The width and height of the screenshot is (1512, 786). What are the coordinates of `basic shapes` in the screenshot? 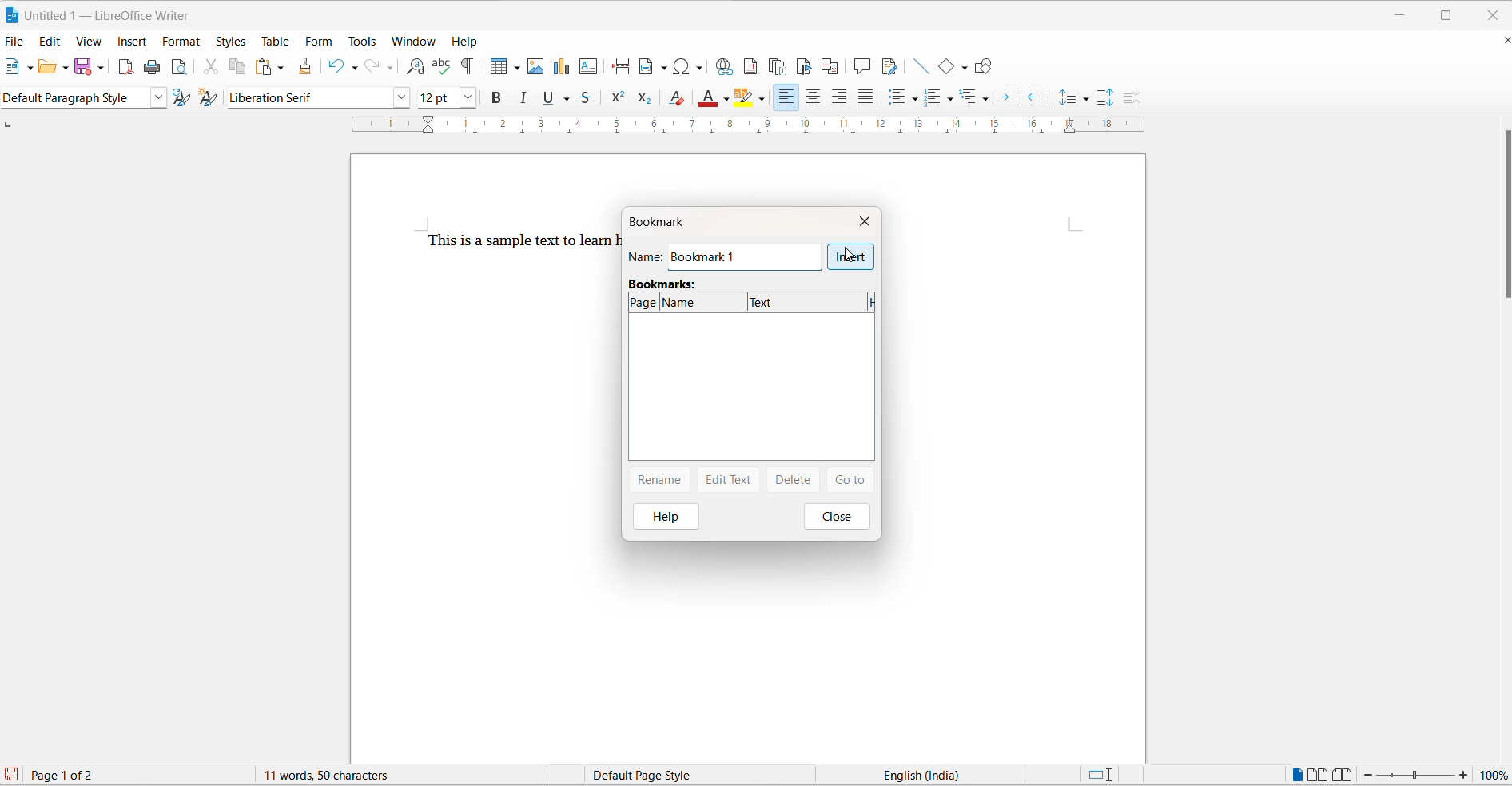 It's located at (944, 67).